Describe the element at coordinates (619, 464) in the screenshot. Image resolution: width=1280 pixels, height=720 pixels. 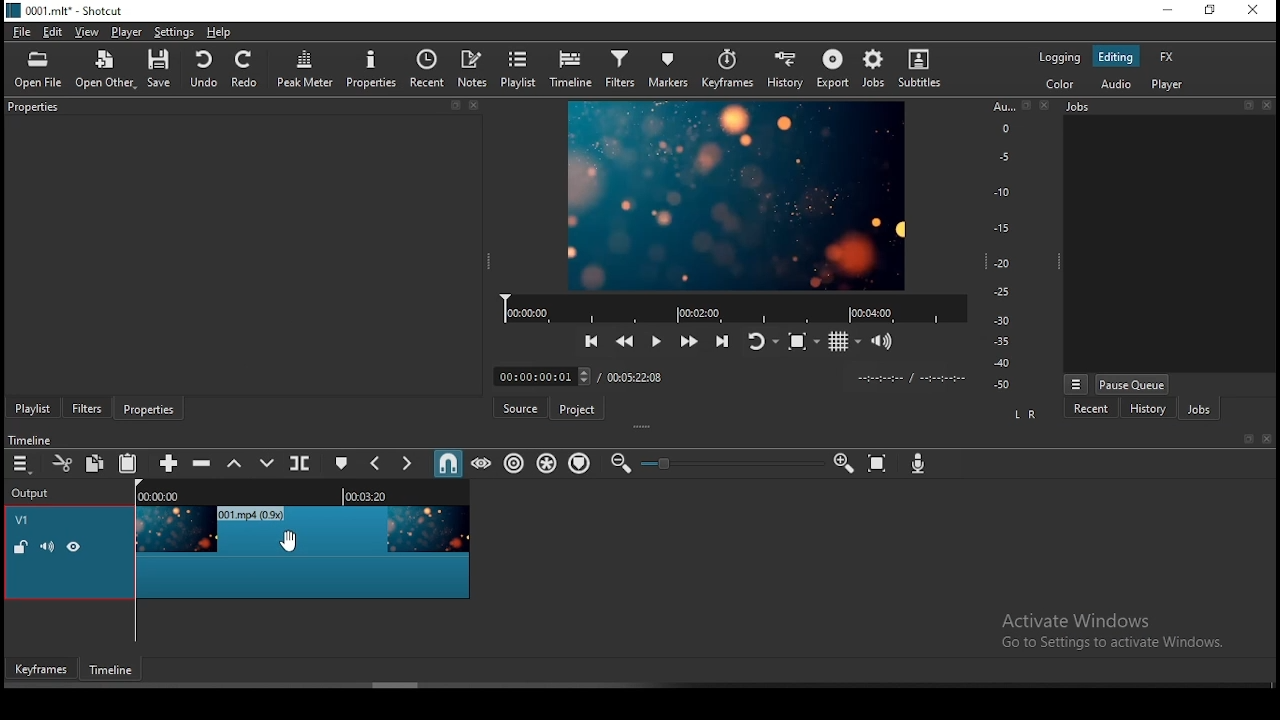
I see `zoom timeline out` at that location.